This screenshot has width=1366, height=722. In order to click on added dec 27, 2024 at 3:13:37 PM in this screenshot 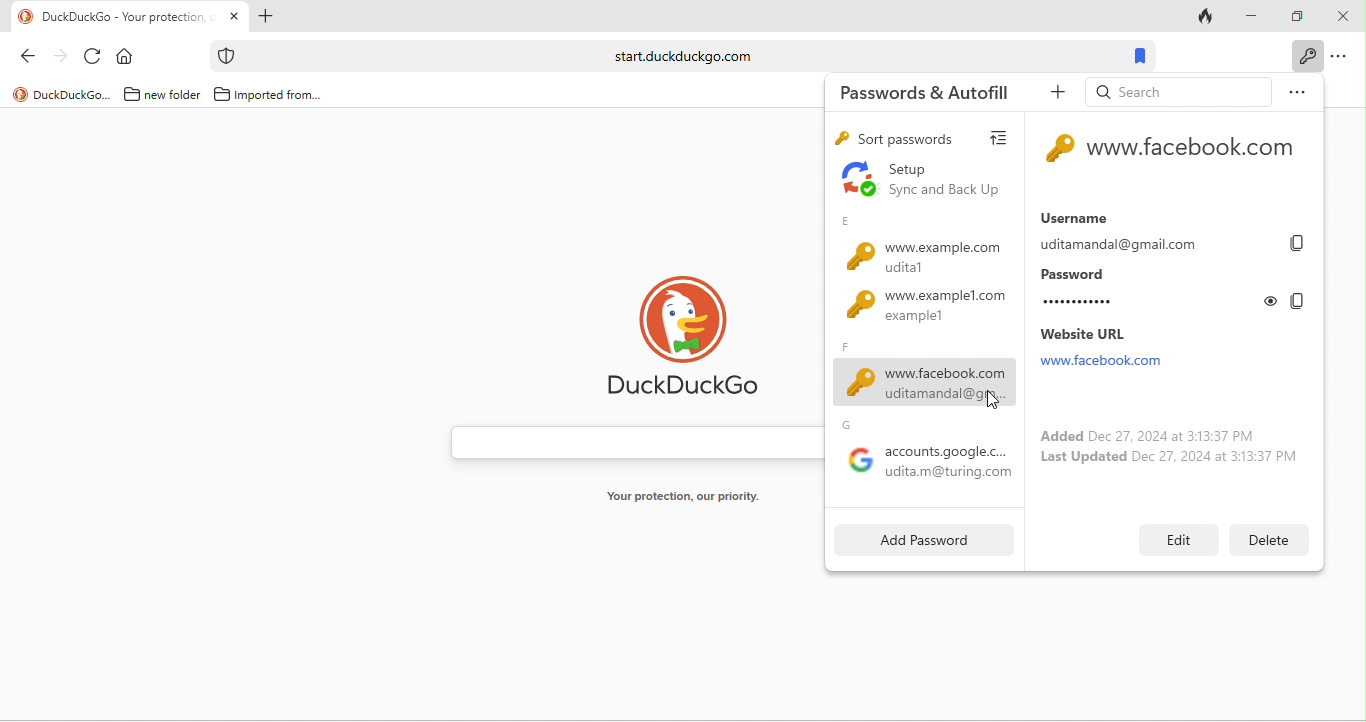, I will do `click(1142, 434)`.